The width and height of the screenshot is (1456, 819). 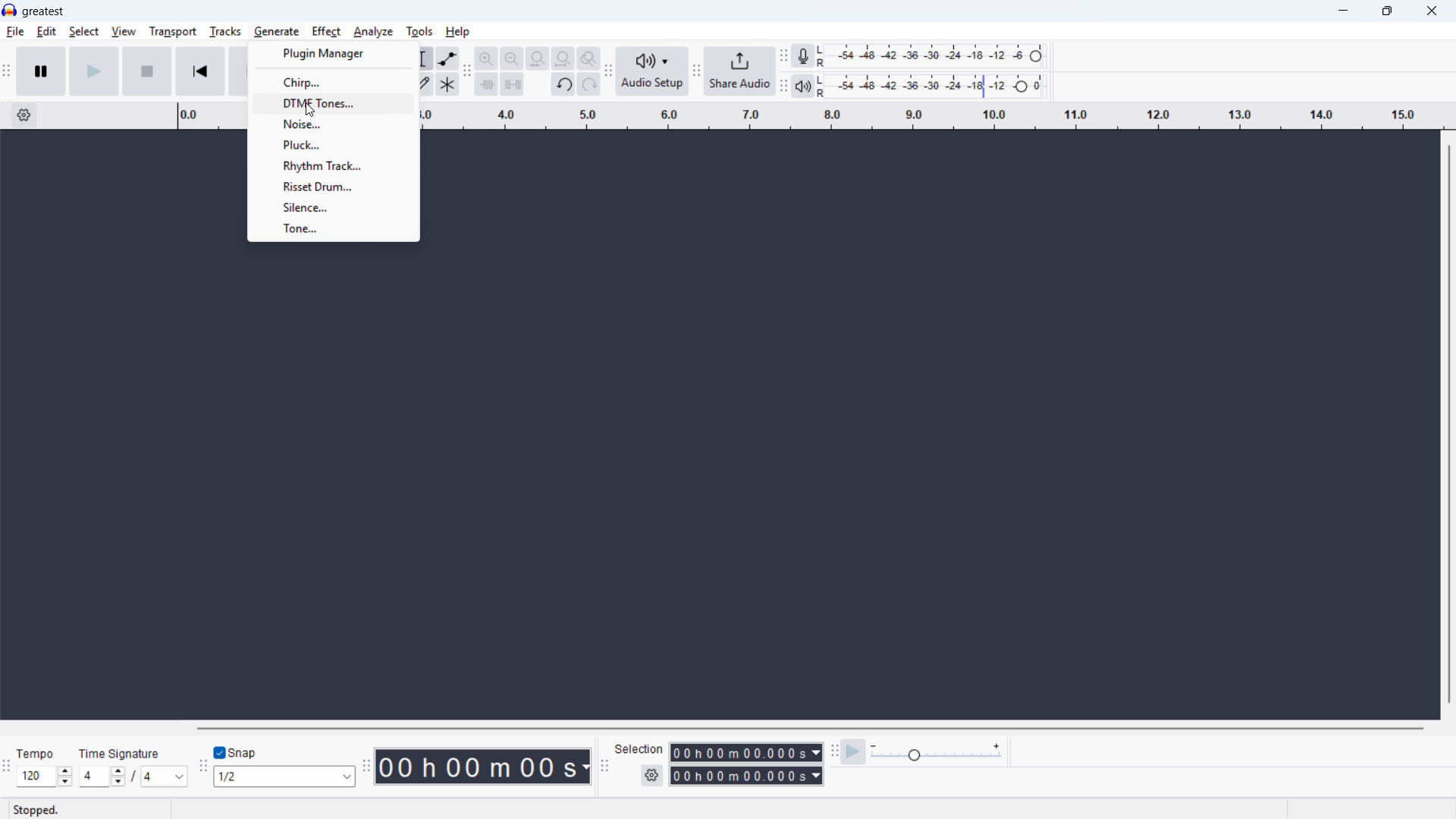 What do you see at coordinates (538, 58) in the screenshot?
I see `fit selection to width` at bounding box center [538, 58].